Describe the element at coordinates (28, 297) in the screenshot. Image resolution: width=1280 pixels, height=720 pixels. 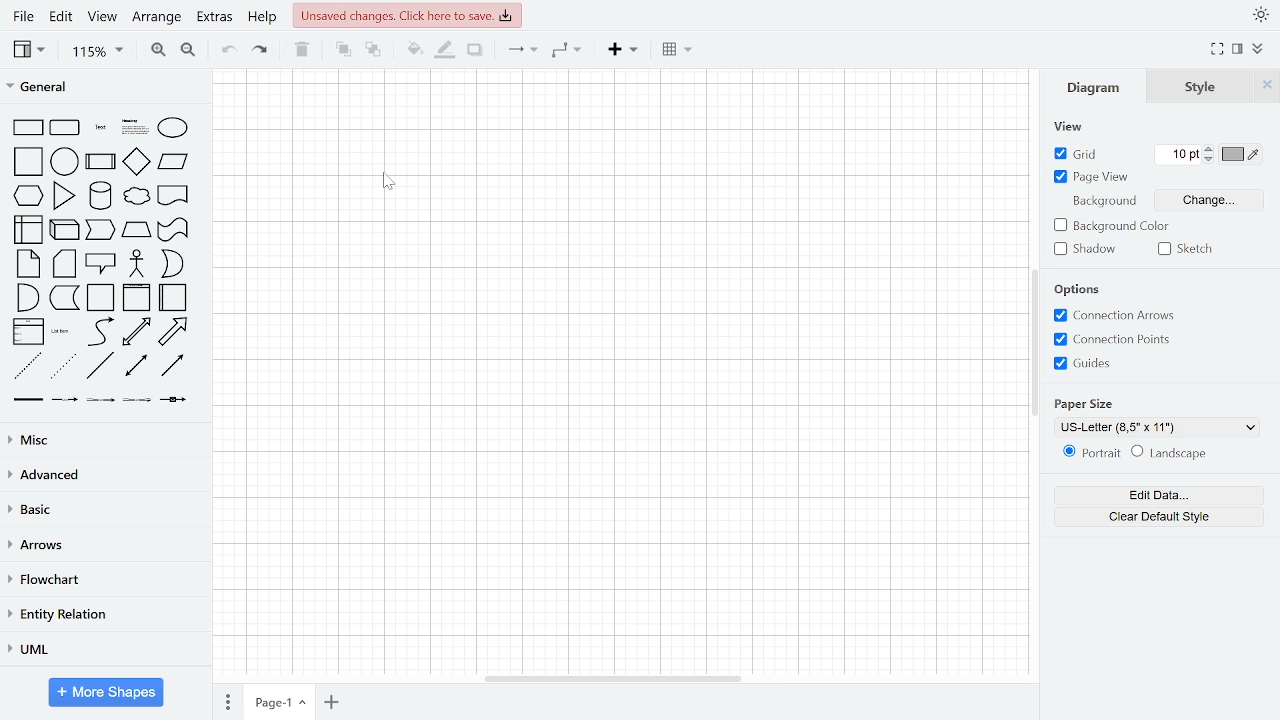
I see `and` at that location.